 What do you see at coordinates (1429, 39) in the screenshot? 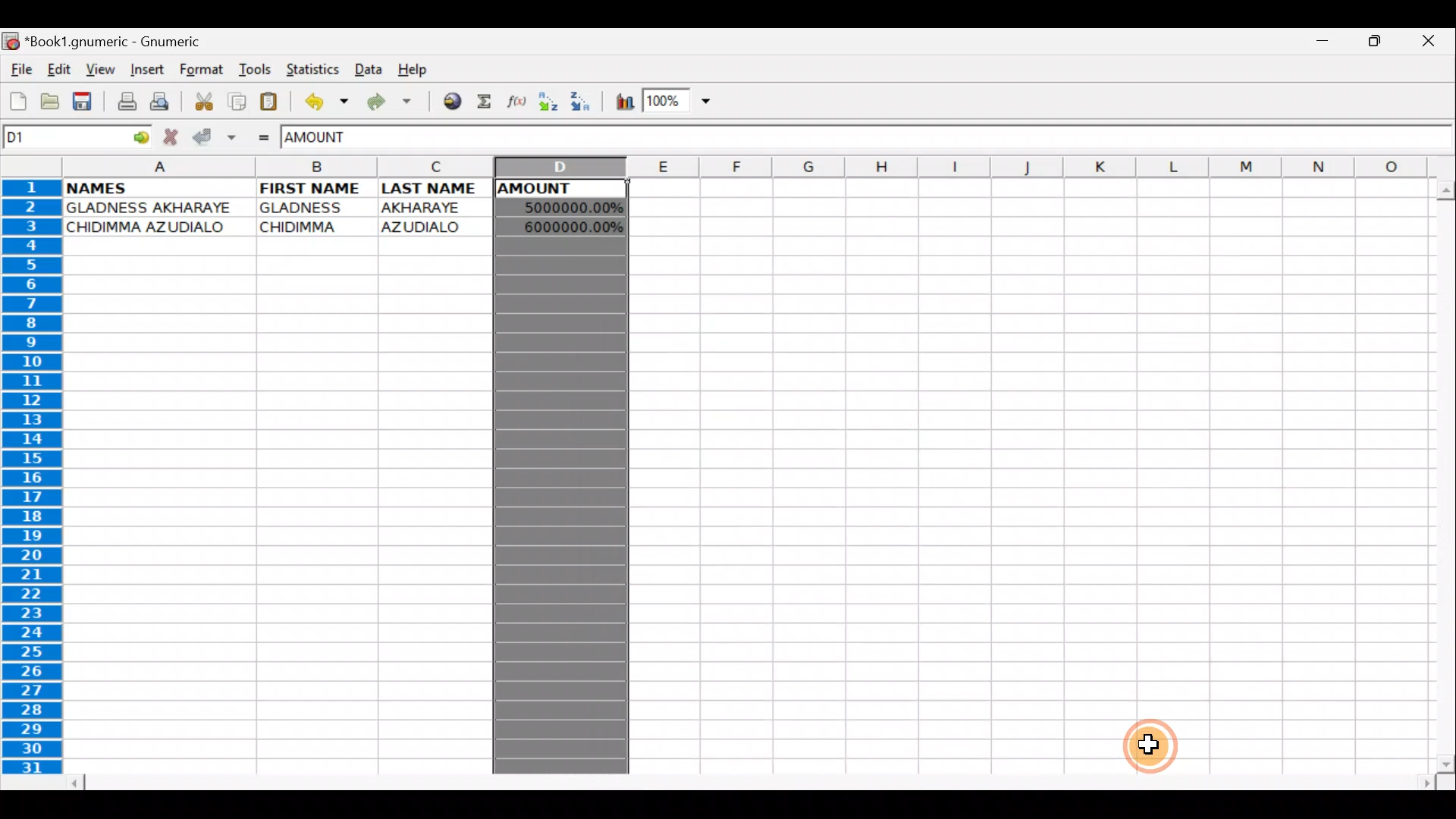
I see `Close` at bounding box center [1429, 39].